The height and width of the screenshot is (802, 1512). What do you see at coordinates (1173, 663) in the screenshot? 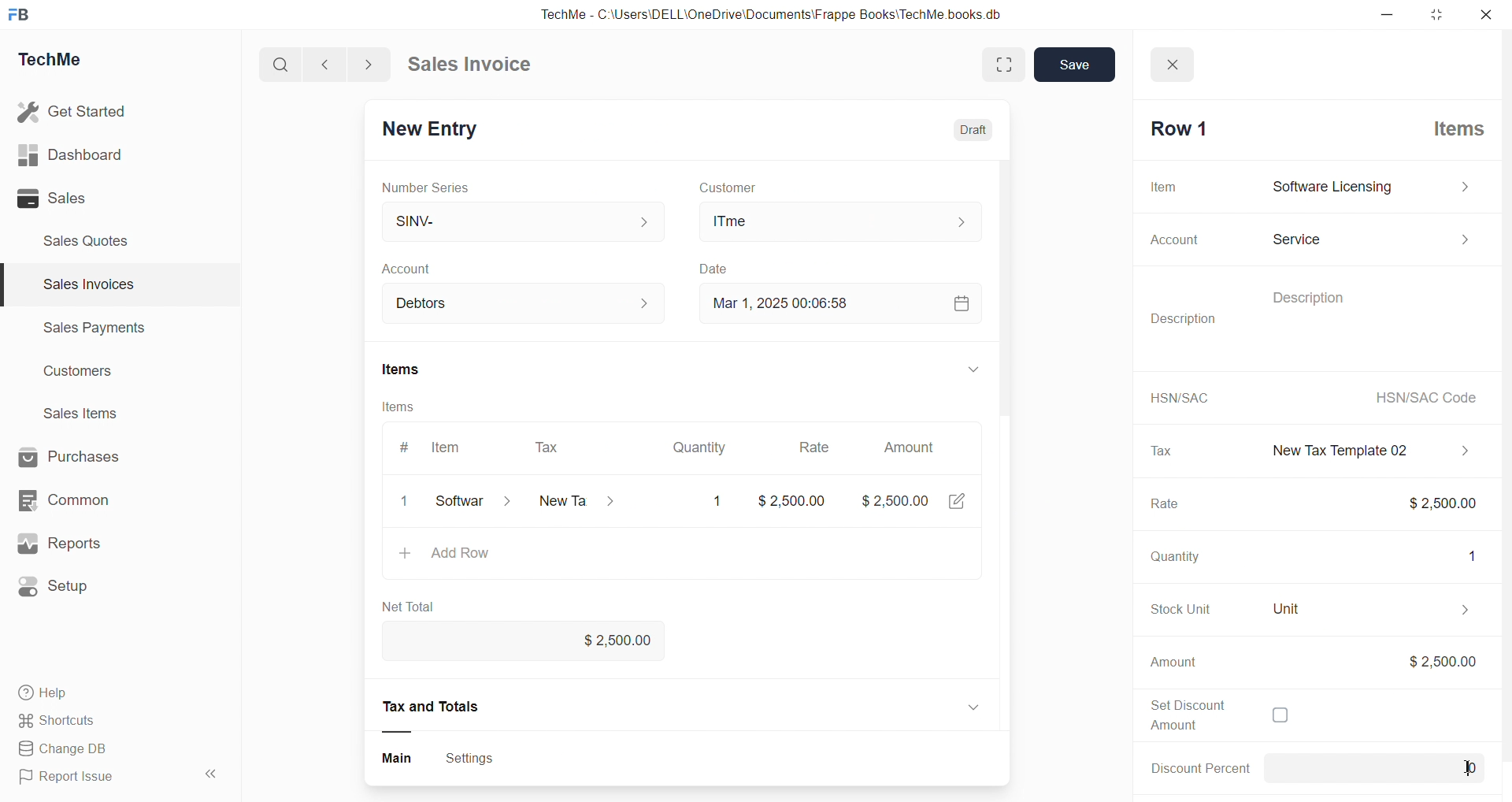
I see `Amount` at bounding box center [1173, 663].